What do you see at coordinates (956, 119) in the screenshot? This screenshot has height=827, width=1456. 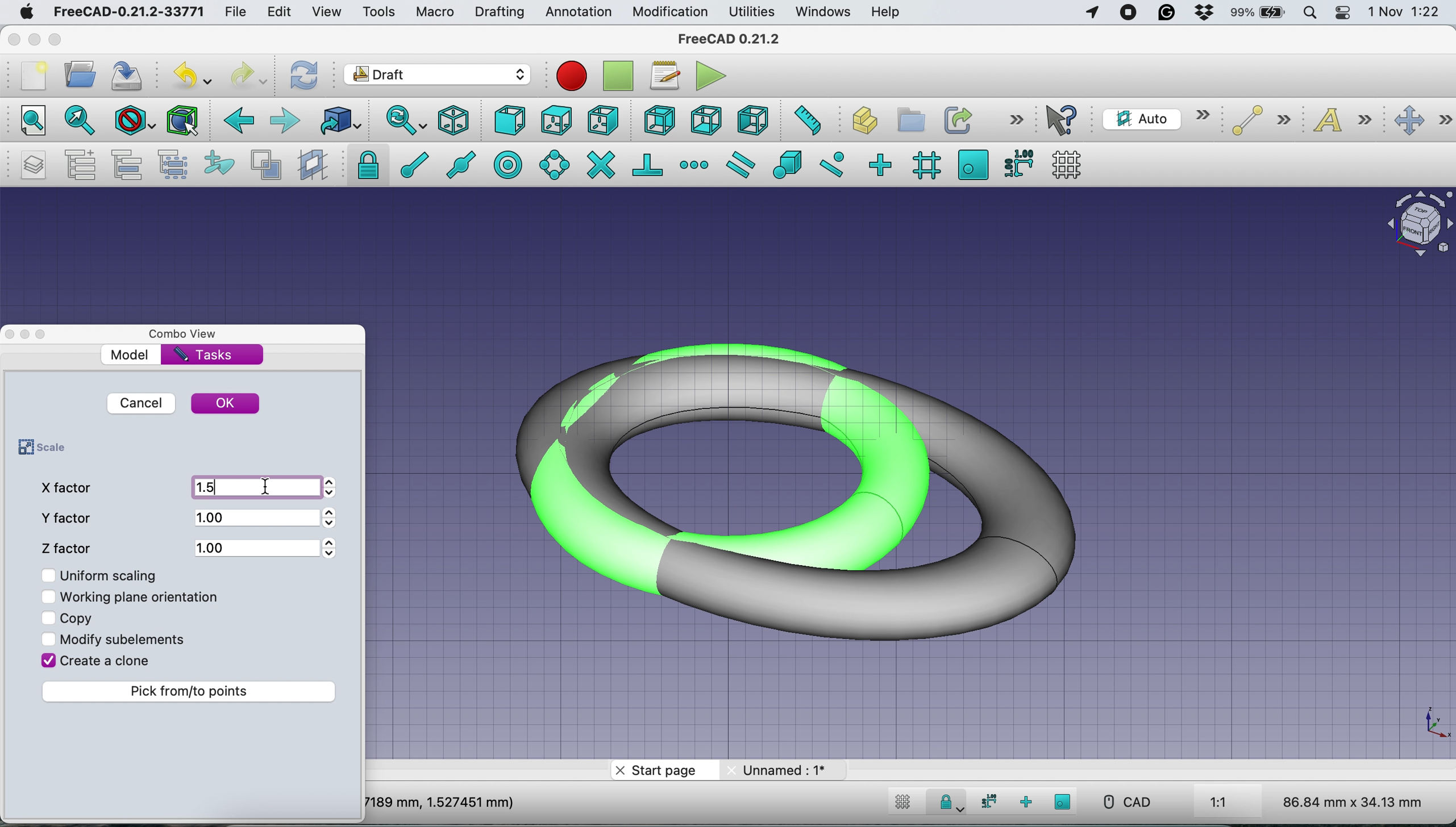 I see `make link` at bounding box center [956, 119].